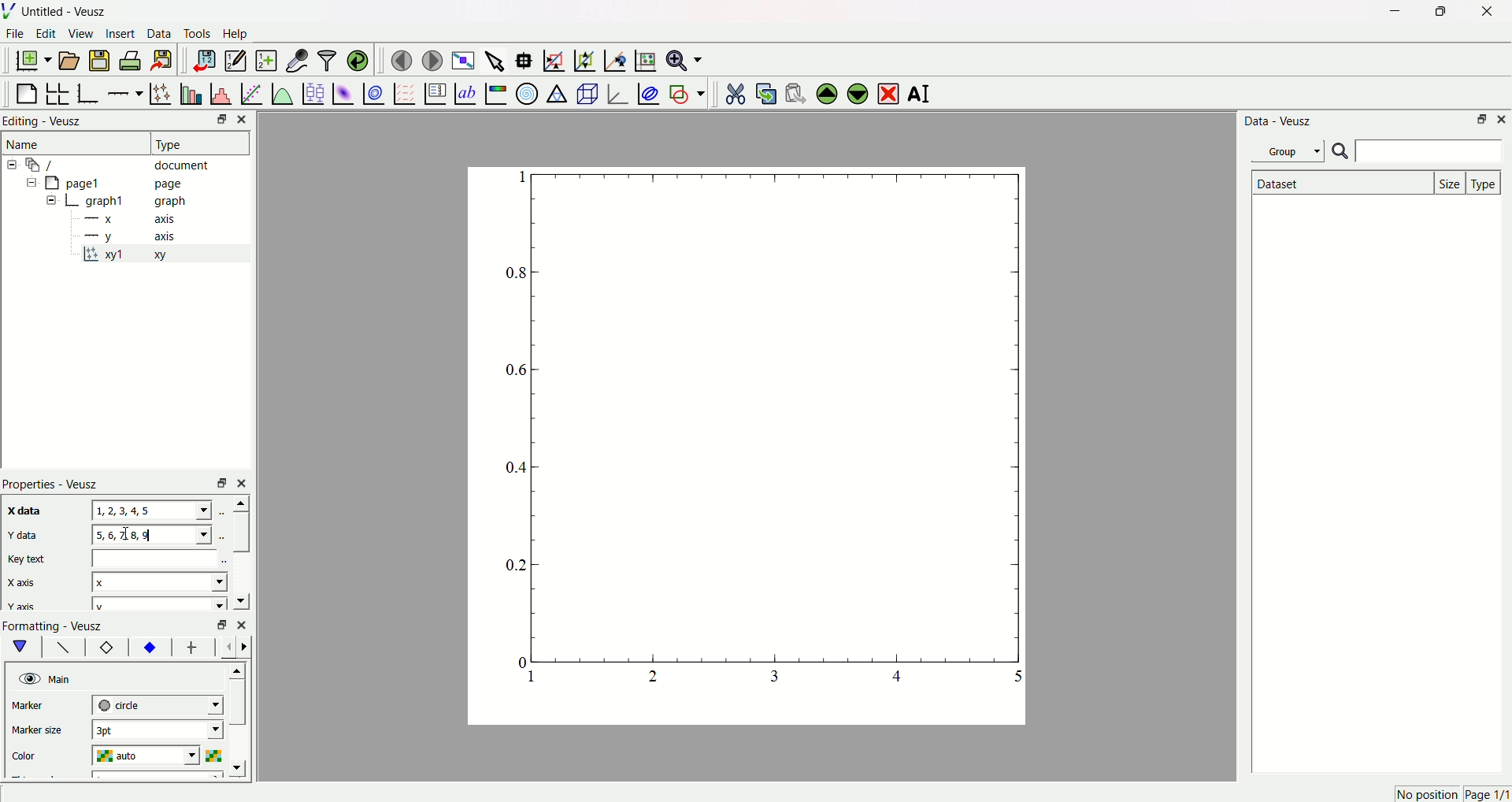 The height and width of the screenshot is (802, 1512). What do you see at coordinates (1485, 182) in the screenshot?
I see `Type` at bounding box center [1485, 182].